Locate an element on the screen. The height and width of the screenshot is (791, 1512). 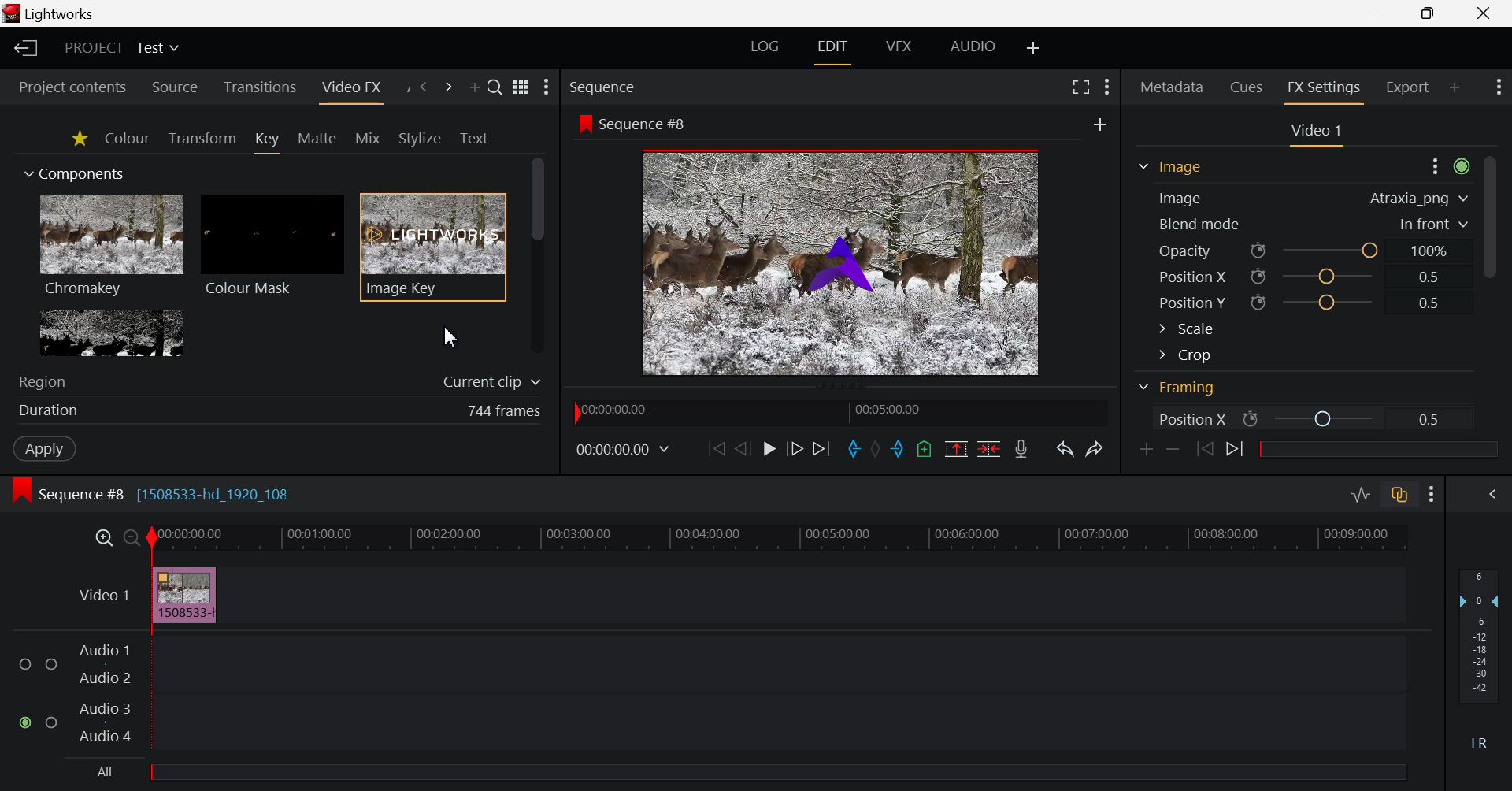
Audio 4 is located at coordinates (108, 736).